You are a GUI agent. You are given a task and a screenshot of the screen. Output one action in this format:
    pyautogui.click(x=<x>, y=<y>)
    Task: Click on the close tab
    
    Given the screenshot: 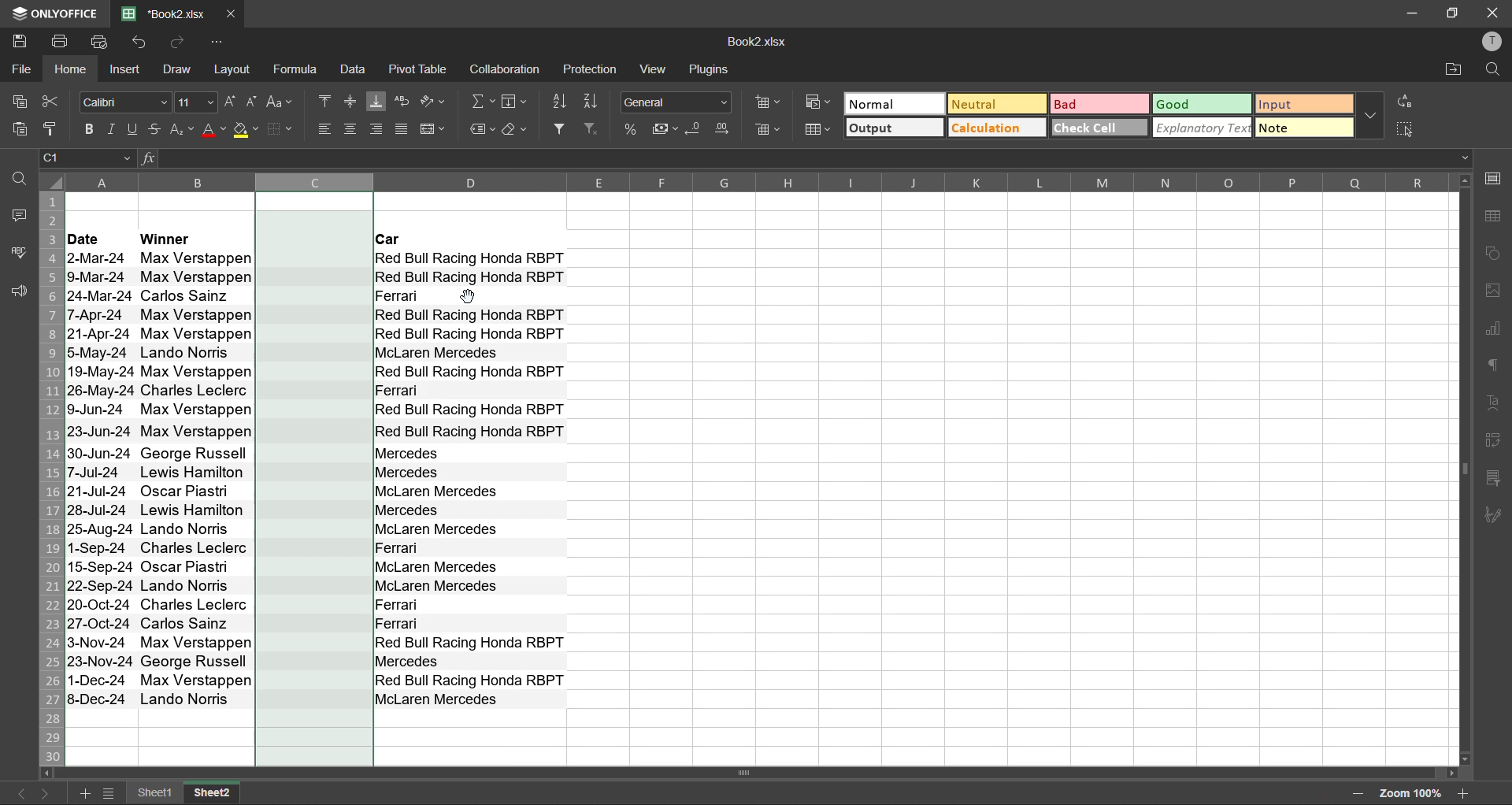 What is the action you would take?
    pyautogui.click(x=231, y=14)
    